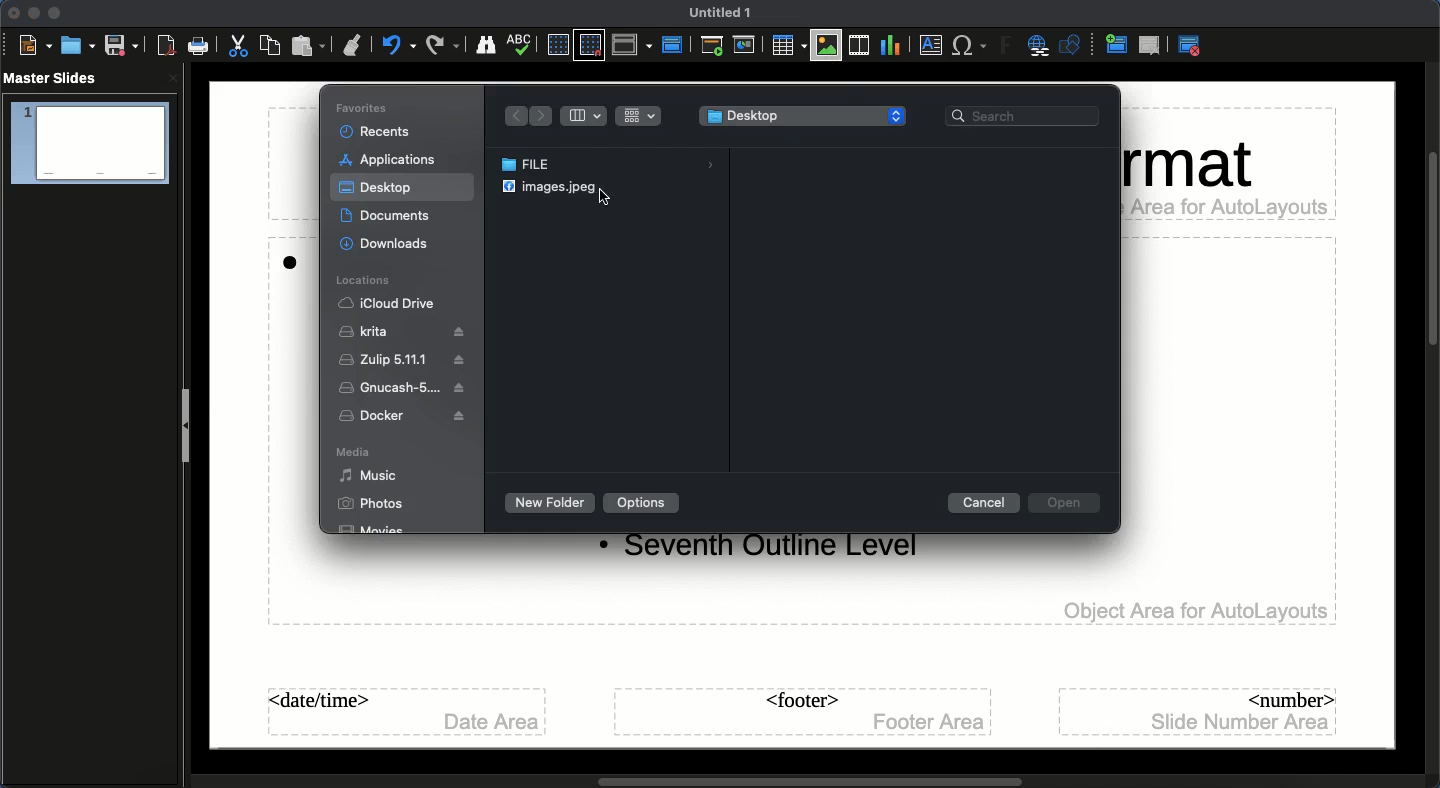  I want to click on IMAGE, so click(546, 187).